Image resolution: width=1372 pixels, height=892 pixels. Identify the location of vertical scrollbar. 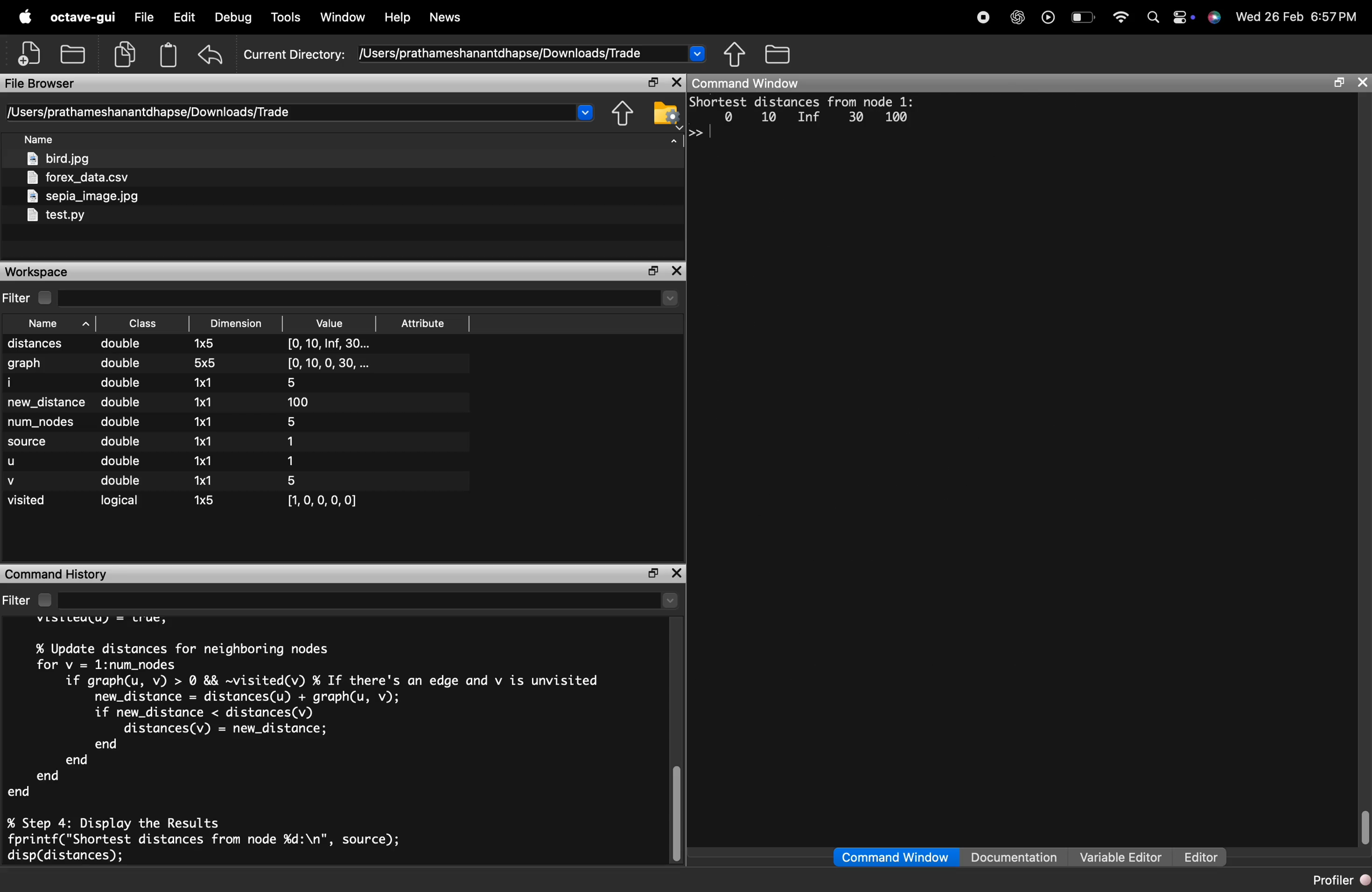
(1363, 821).